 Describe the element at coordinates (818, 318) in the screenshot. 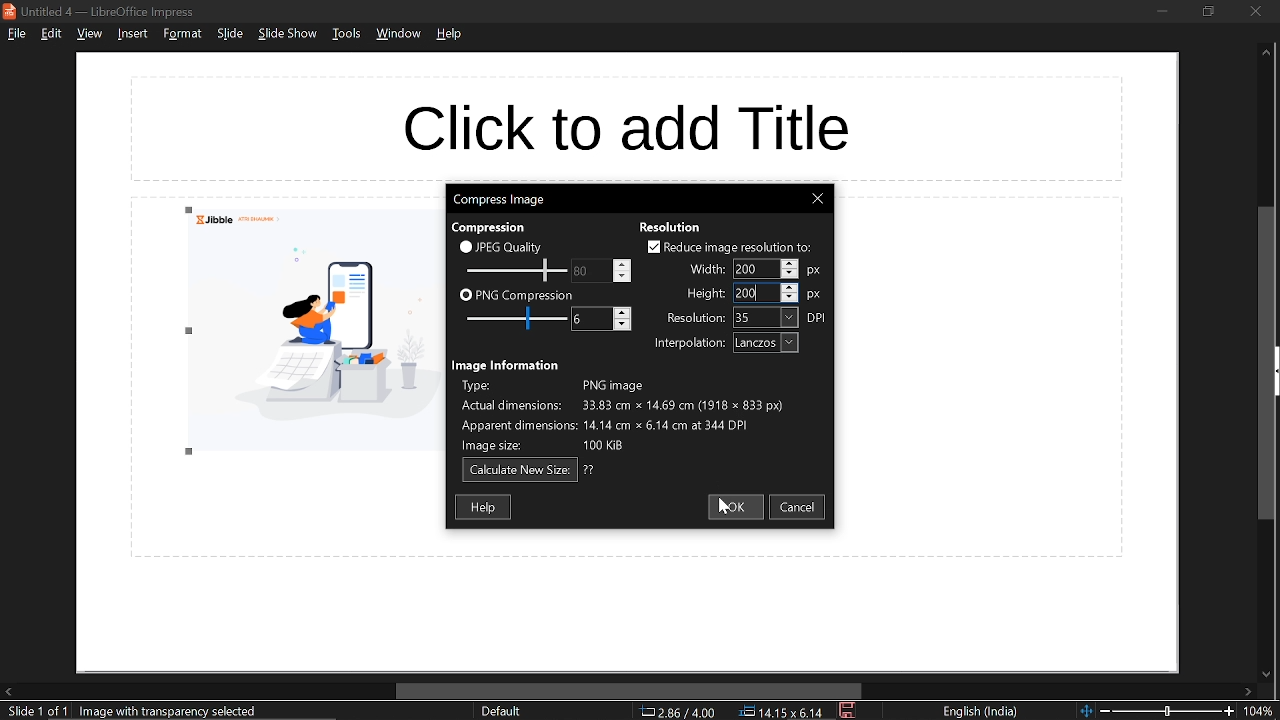

I see `resolution unit: DPI` at that location.